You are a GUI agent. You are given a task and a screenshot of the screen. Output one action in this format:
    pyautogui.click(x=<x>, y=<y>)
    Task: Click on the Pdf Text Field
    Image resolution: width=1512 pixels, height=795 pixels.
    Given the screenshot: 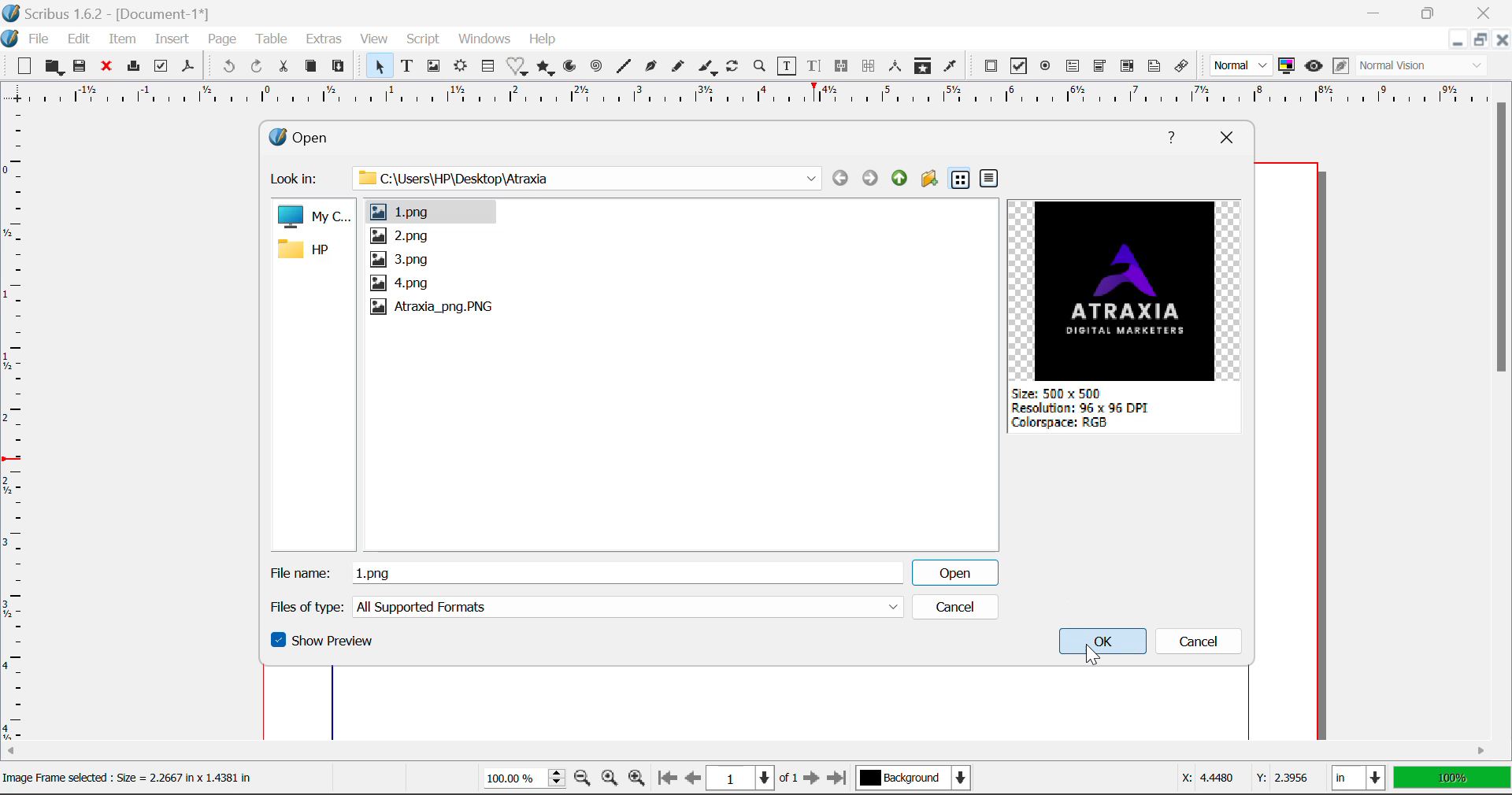 What is the action you would take?
    pyautogui.click(x=1073, y=68)
    